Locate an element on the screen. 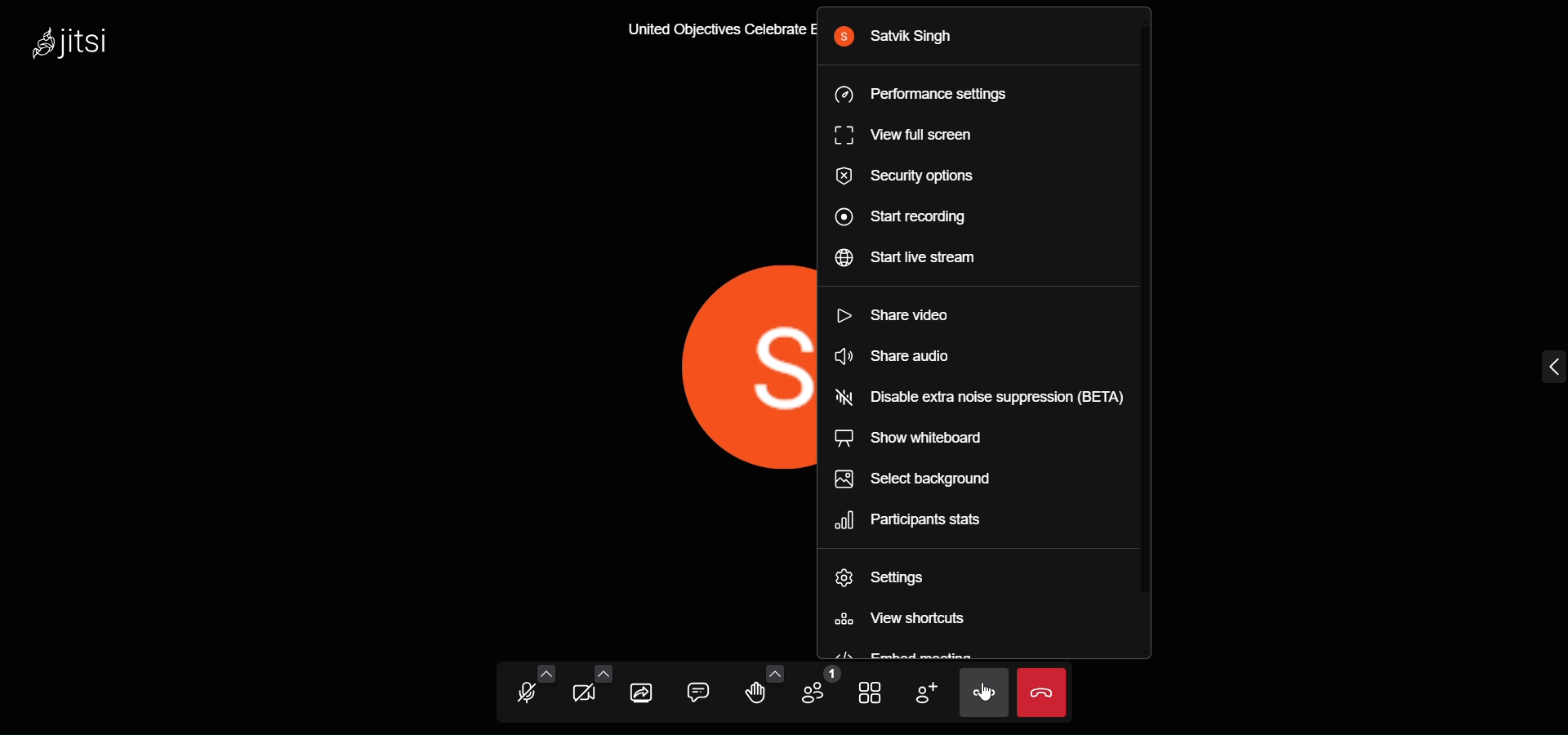 The width and height of the screenshot is (1568, 735). microphone is located at coordinates (525, 694).